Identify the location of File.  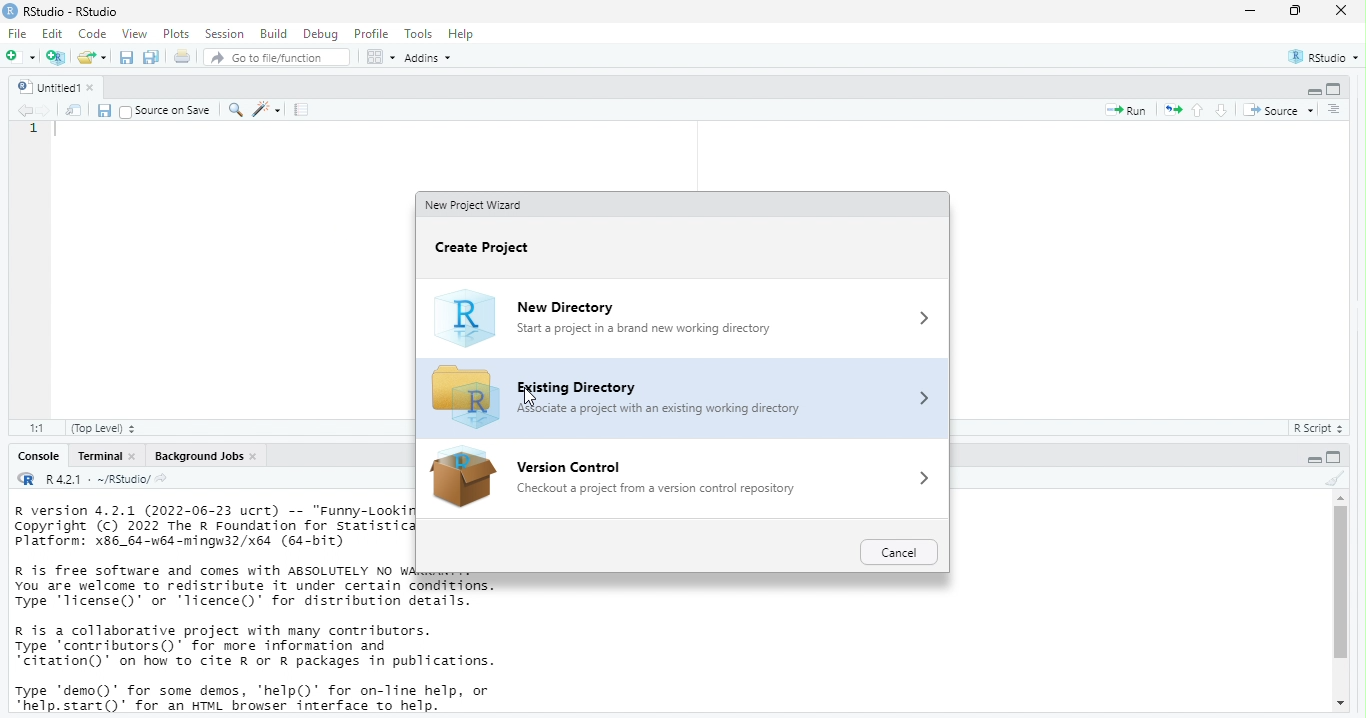
(18, 34).